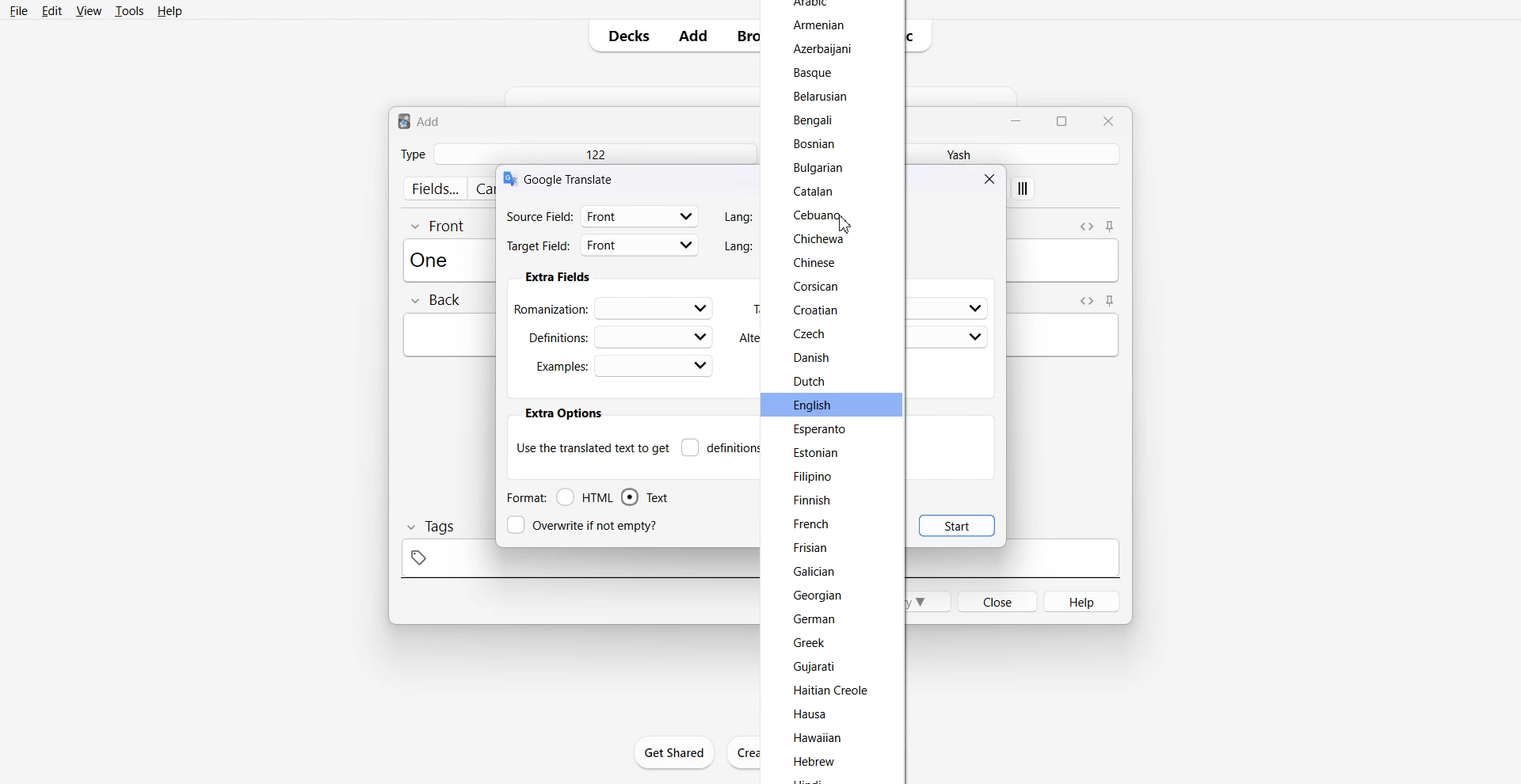 This screenshot has height=784, width=1521. What do you see at coordinates (439, 225) in the screenshot?
I see `Front` at bounding box center [439, 225].